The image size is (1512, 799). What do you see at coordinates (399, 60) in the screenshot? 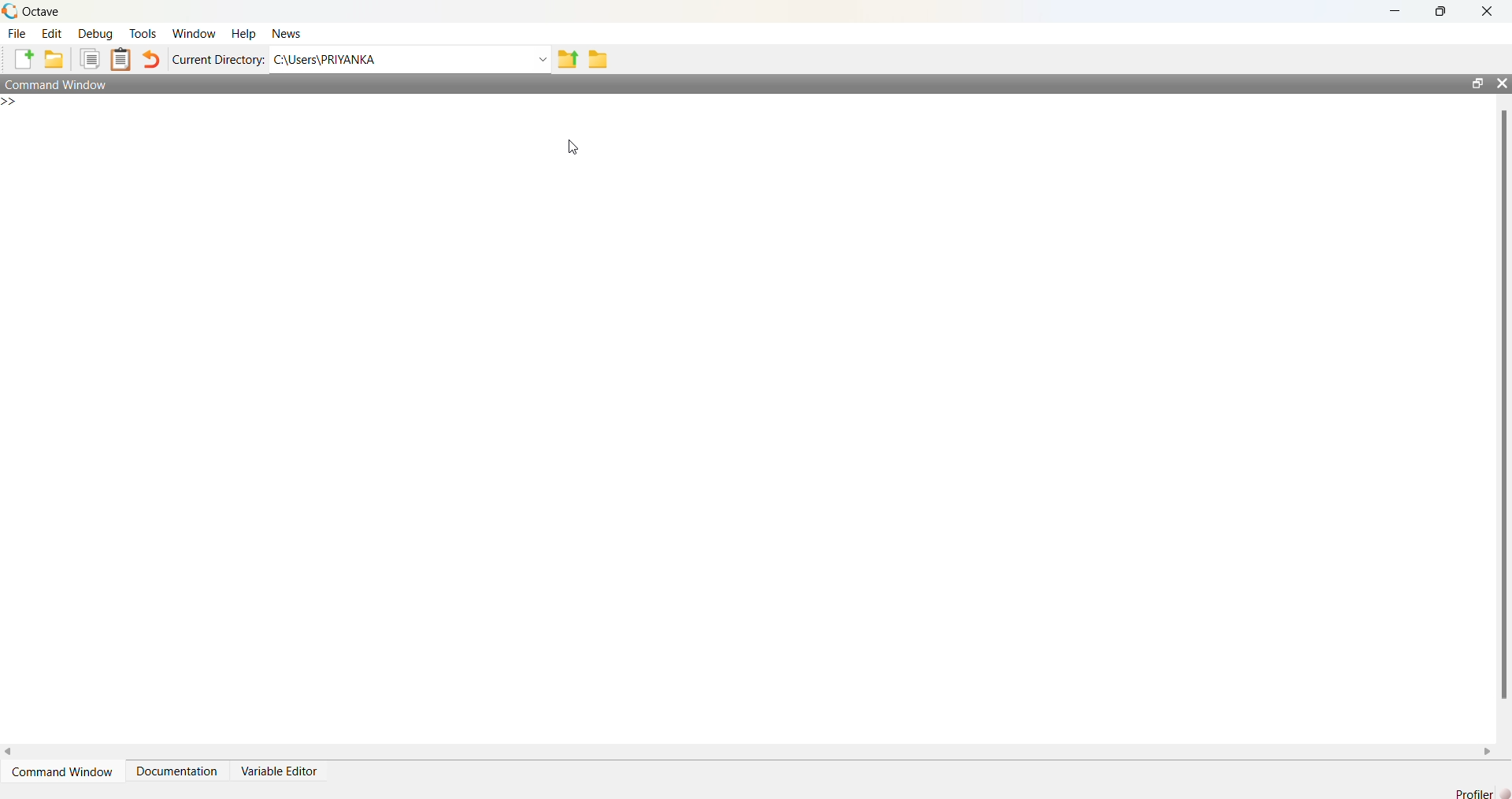
I see `C:\Users\PRIYANKA` at bounding box center [399, 60].